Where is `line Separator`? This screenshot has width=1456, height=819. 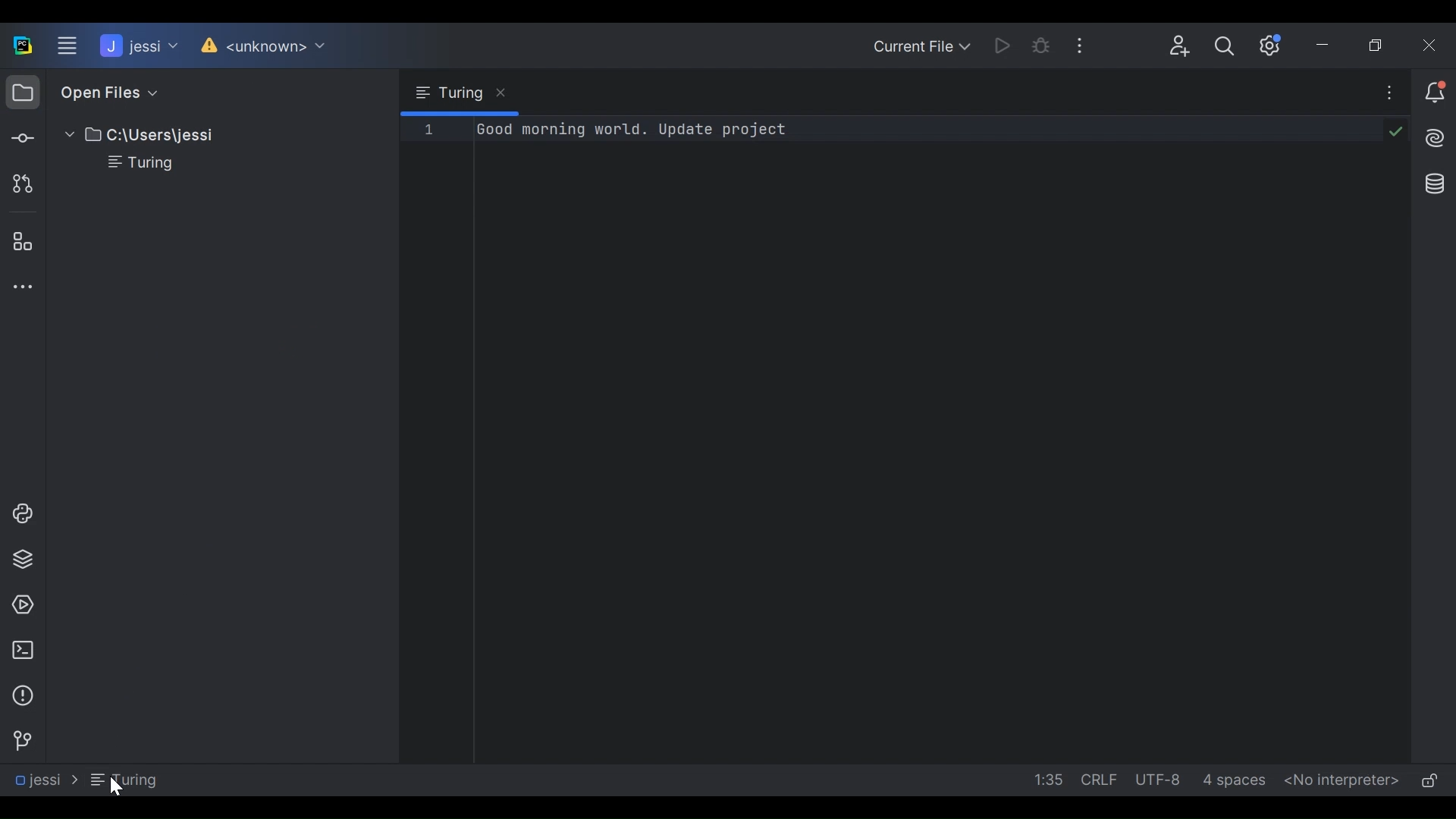
line Separator is located at coordinates (1100, 779).